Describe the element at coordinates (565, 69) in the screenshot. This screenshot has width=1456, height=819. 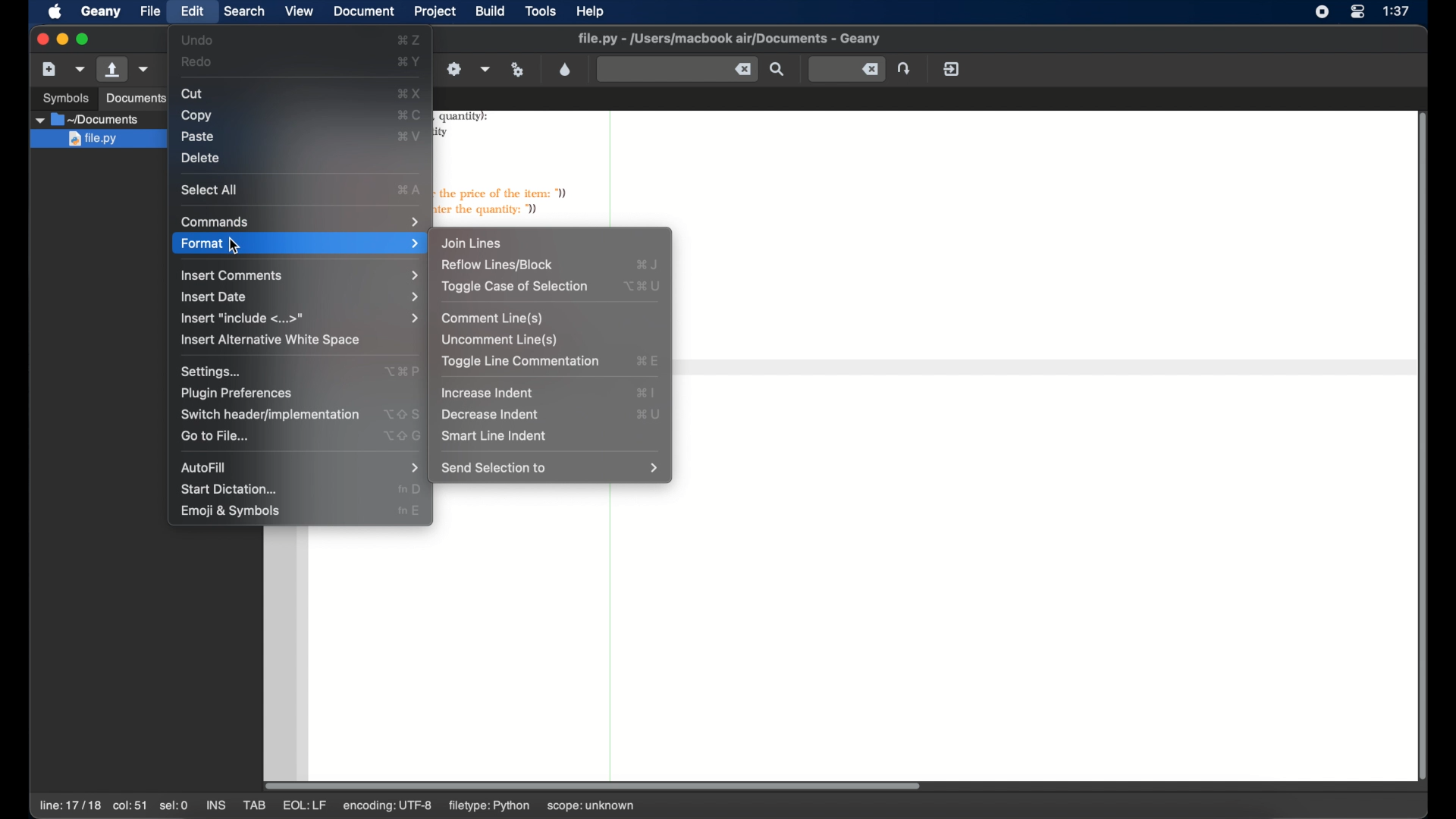
I see `color chooser dialog` at that location.